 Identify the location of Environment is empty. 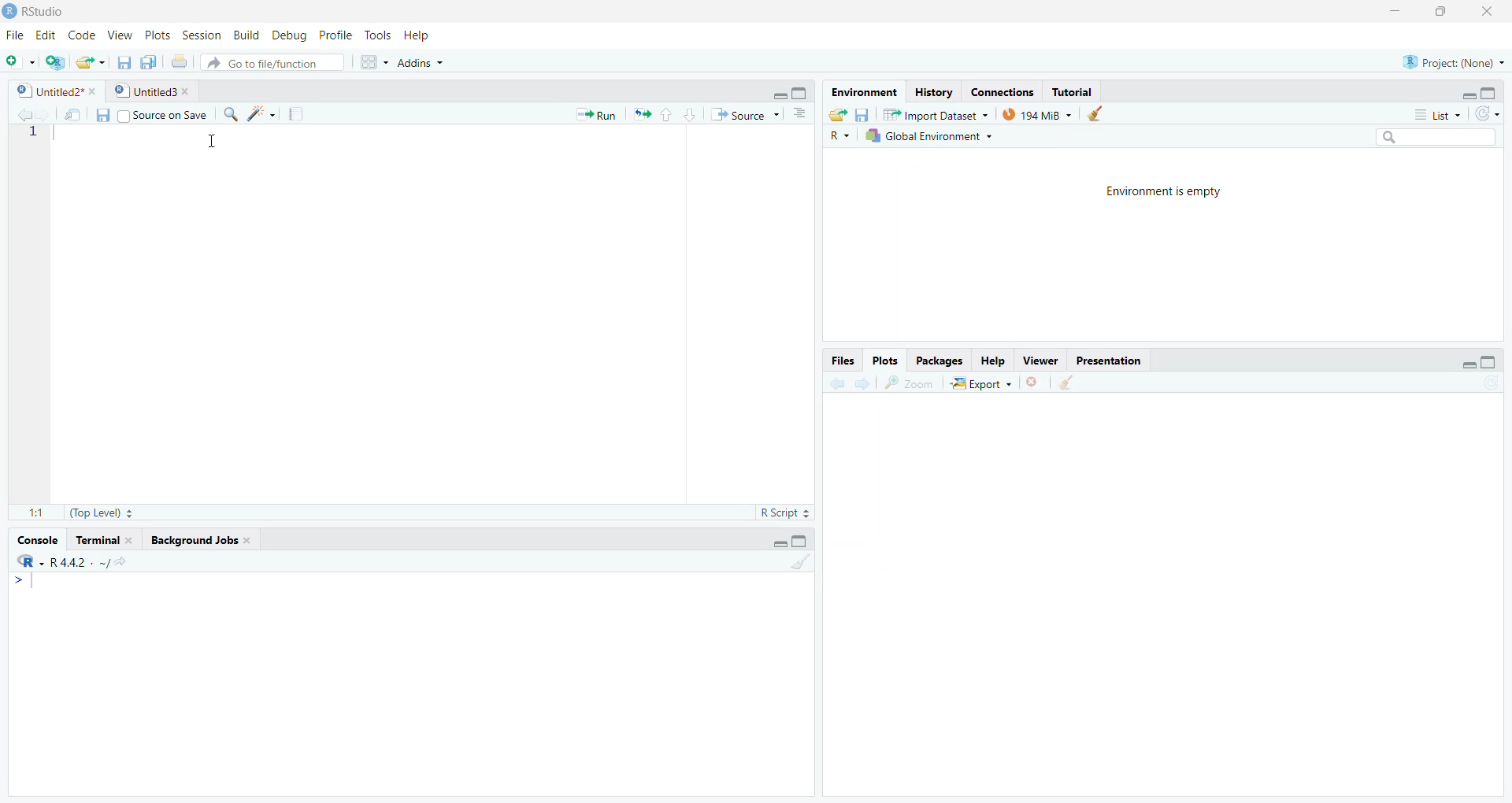
(1165, 191).